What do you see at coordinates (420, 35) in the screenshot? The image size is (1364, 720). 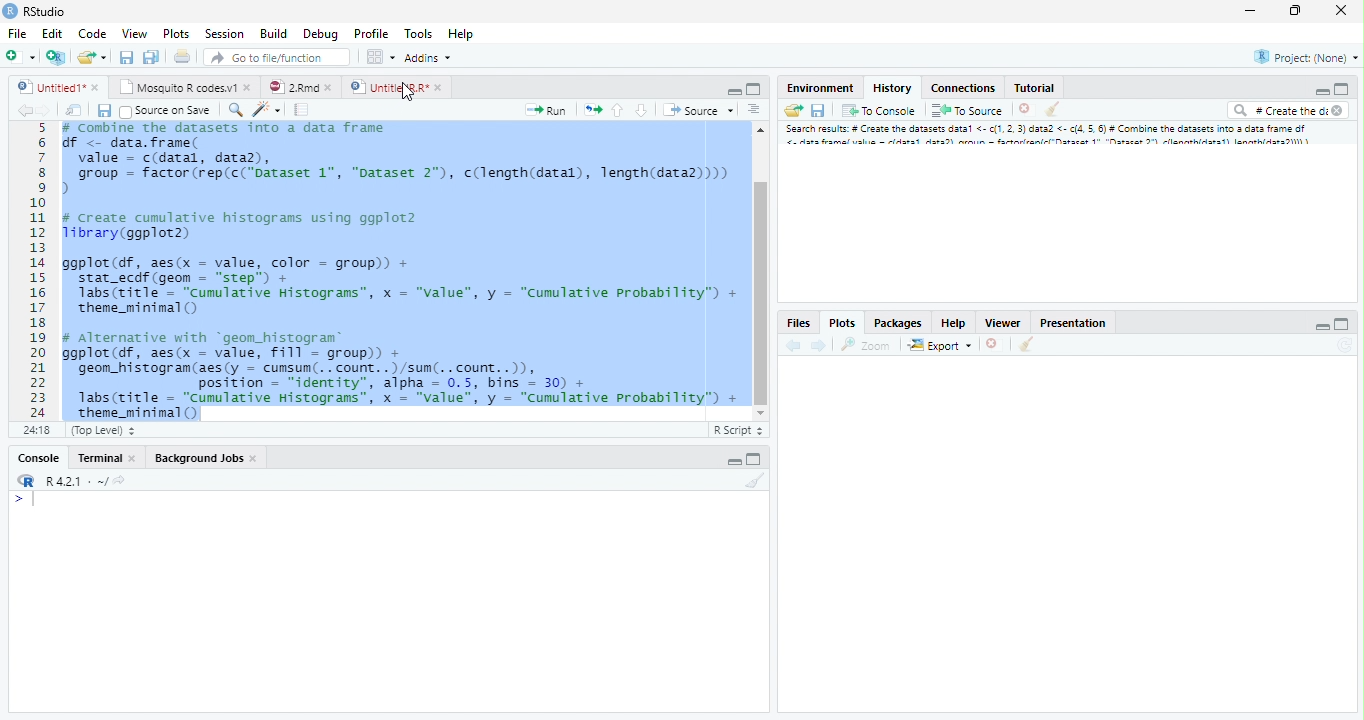 I see `Tools` at bounding box center [420, 35].